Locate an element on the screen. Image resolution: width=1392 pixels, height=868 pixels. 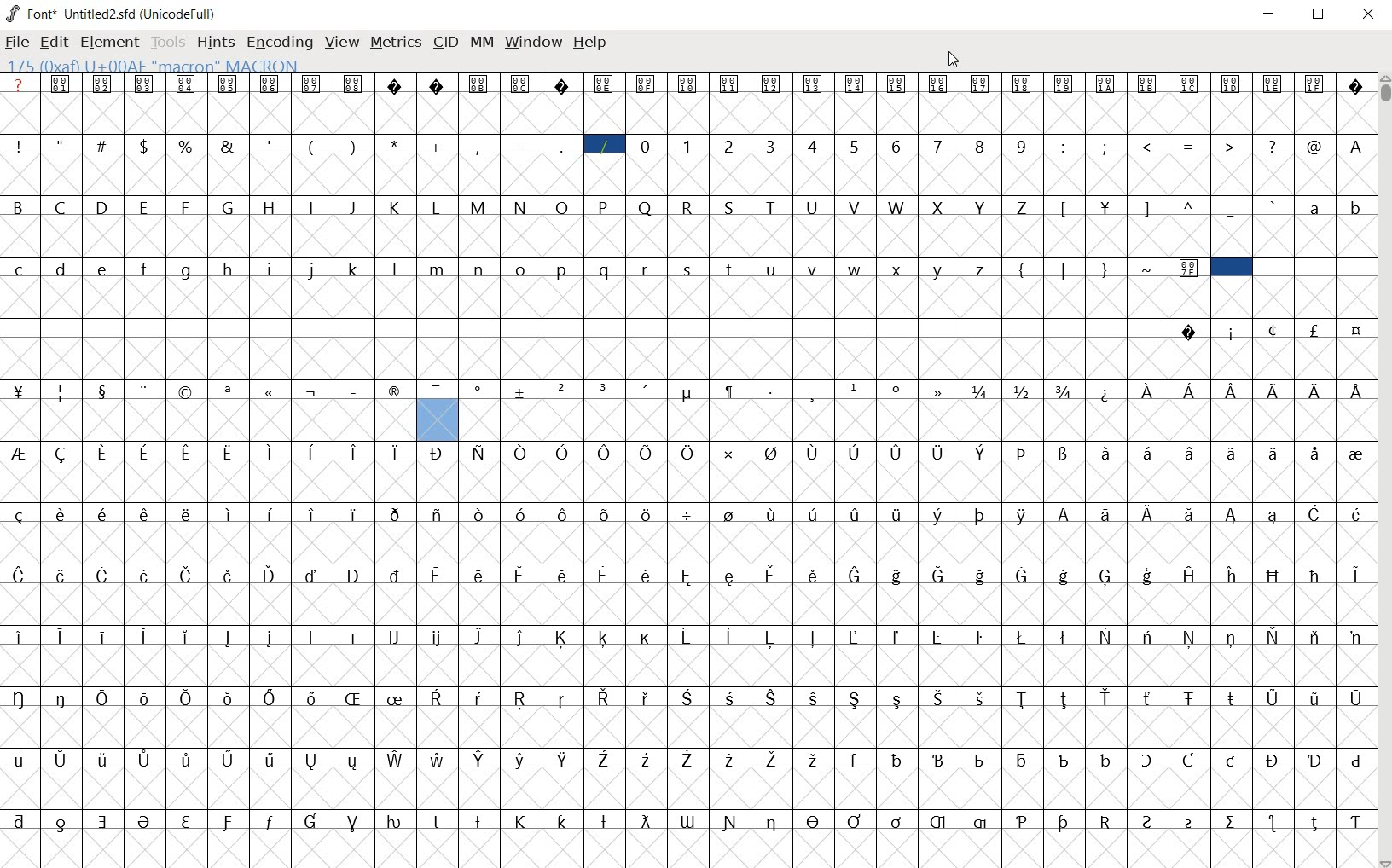
l is located at coordinates (397, 267).